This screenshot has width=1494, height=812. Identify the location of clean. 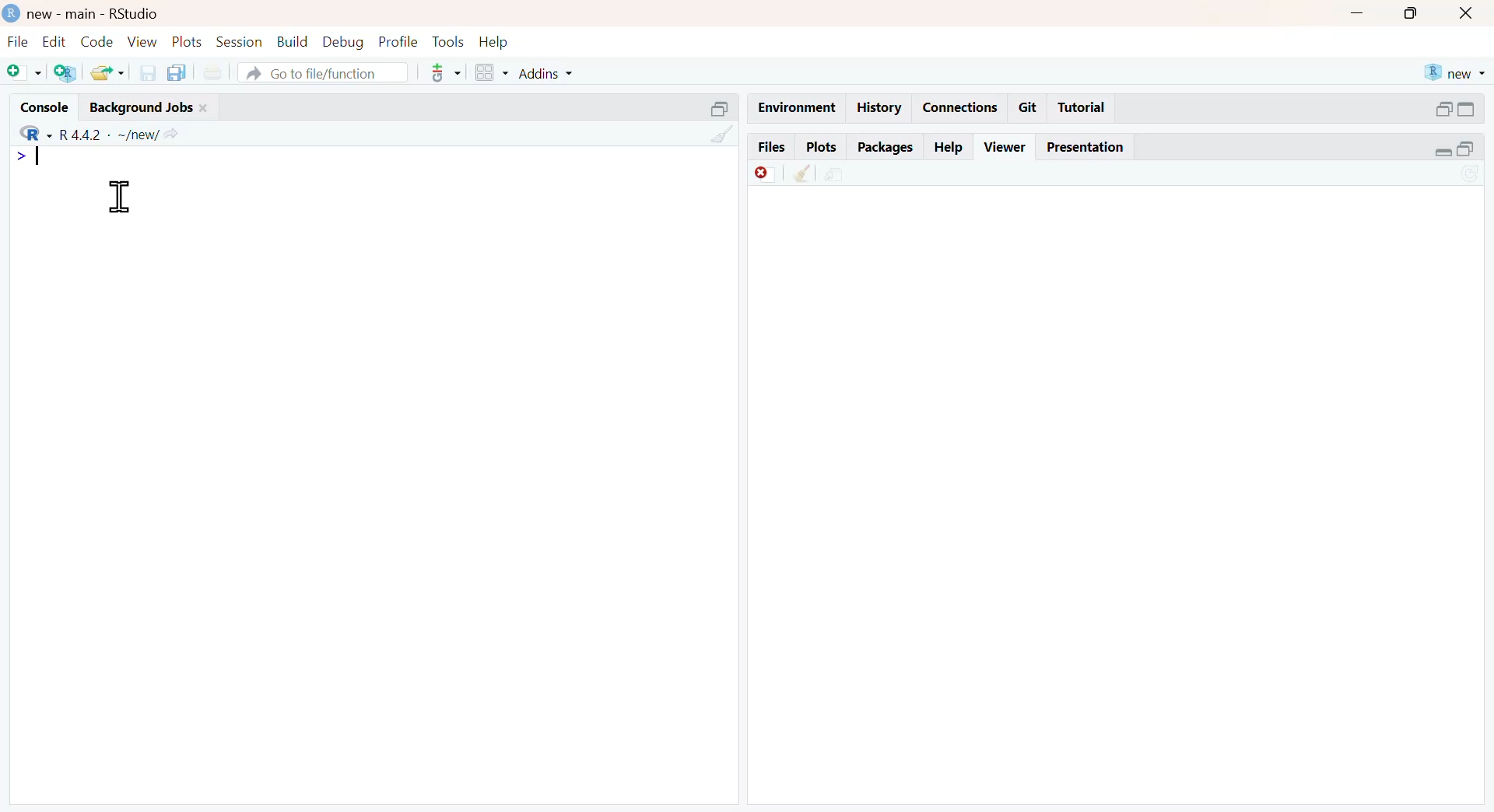
(725, 135).